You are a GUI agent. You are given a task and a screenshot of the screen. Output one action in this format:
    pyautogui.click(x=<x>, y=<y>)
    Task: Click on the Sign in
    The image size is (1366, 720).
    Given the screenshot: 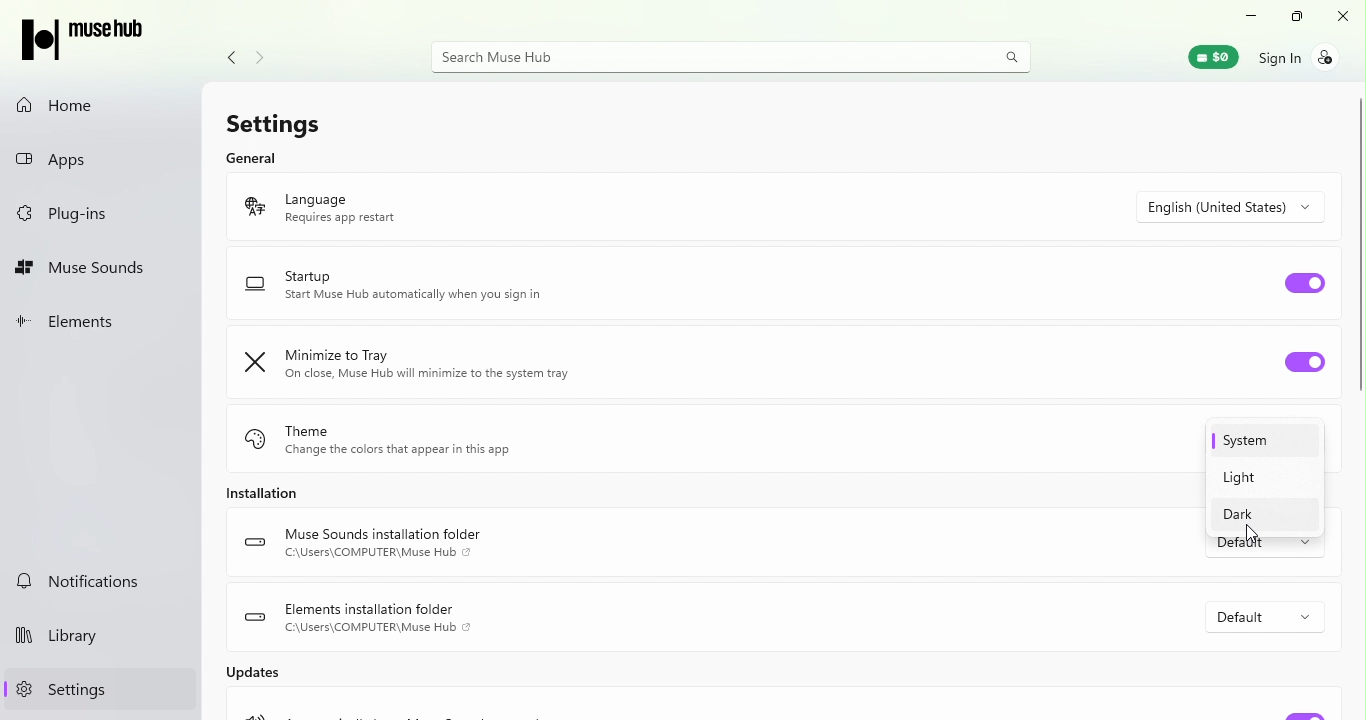 What is the action you would take?
    pyautogui.click(x=1309, y=61)
    